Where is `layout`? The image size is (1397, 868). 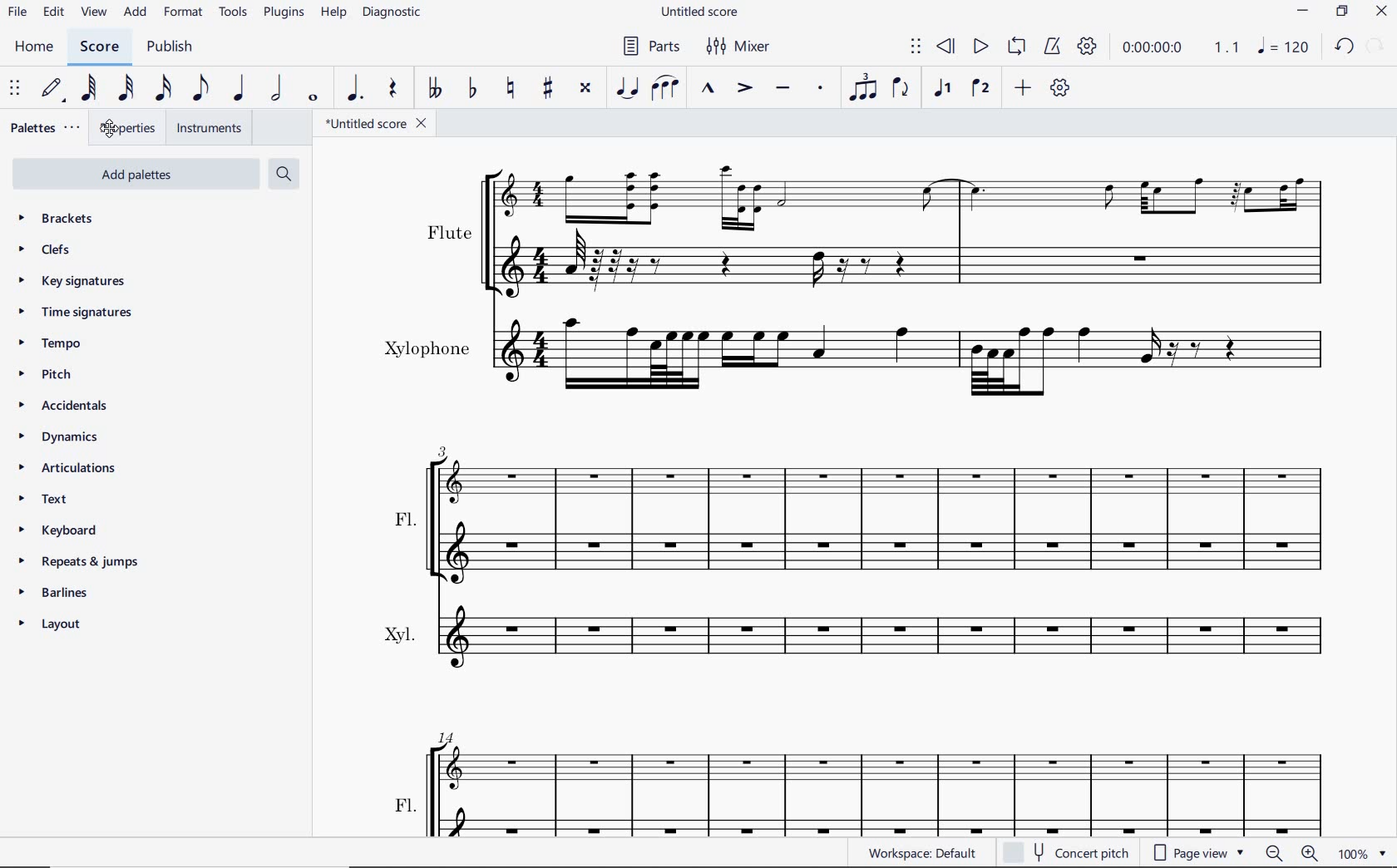
layout is located at coordinates (50, 623).